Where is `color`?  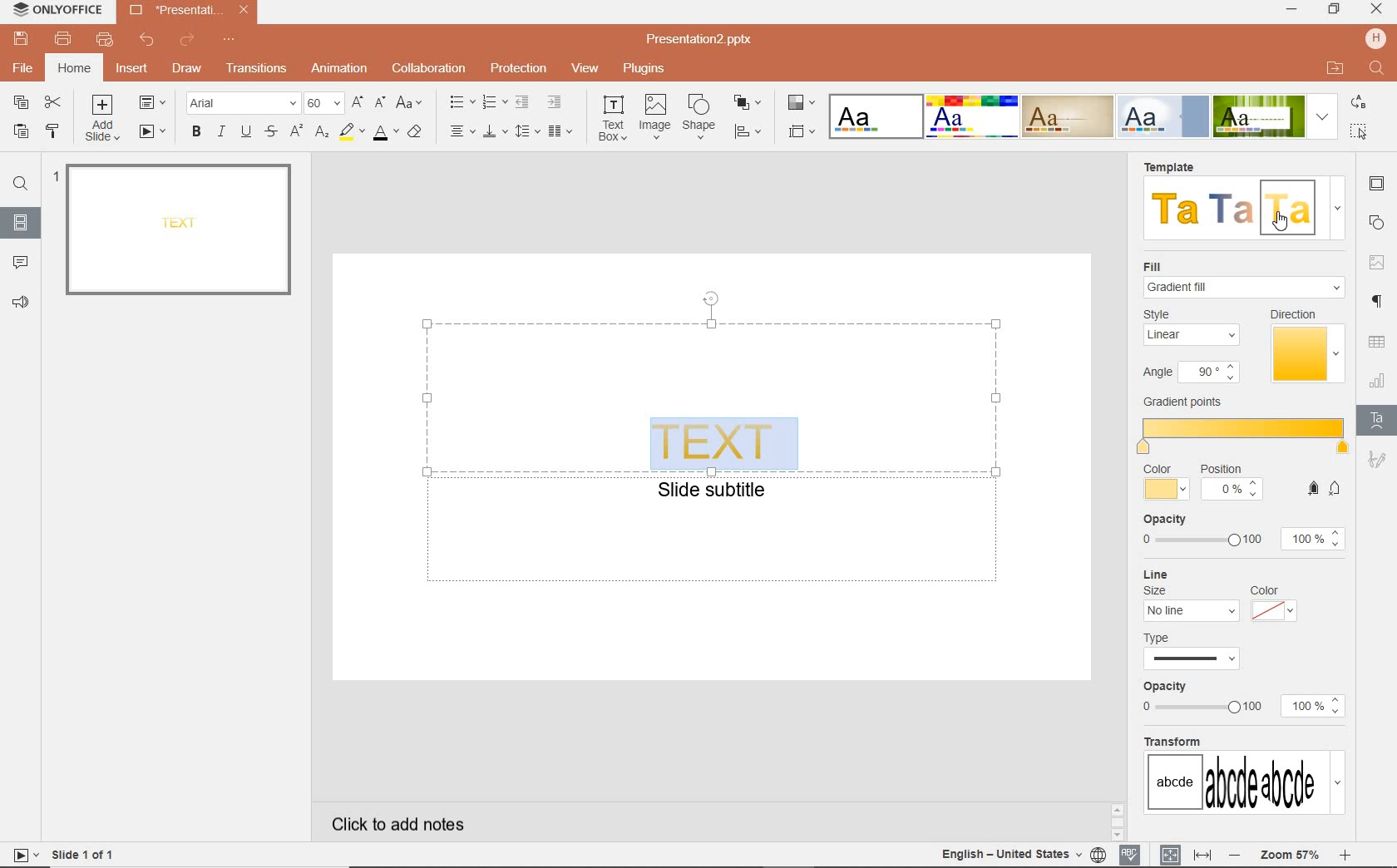
color is located at coordinates (1271, 602).